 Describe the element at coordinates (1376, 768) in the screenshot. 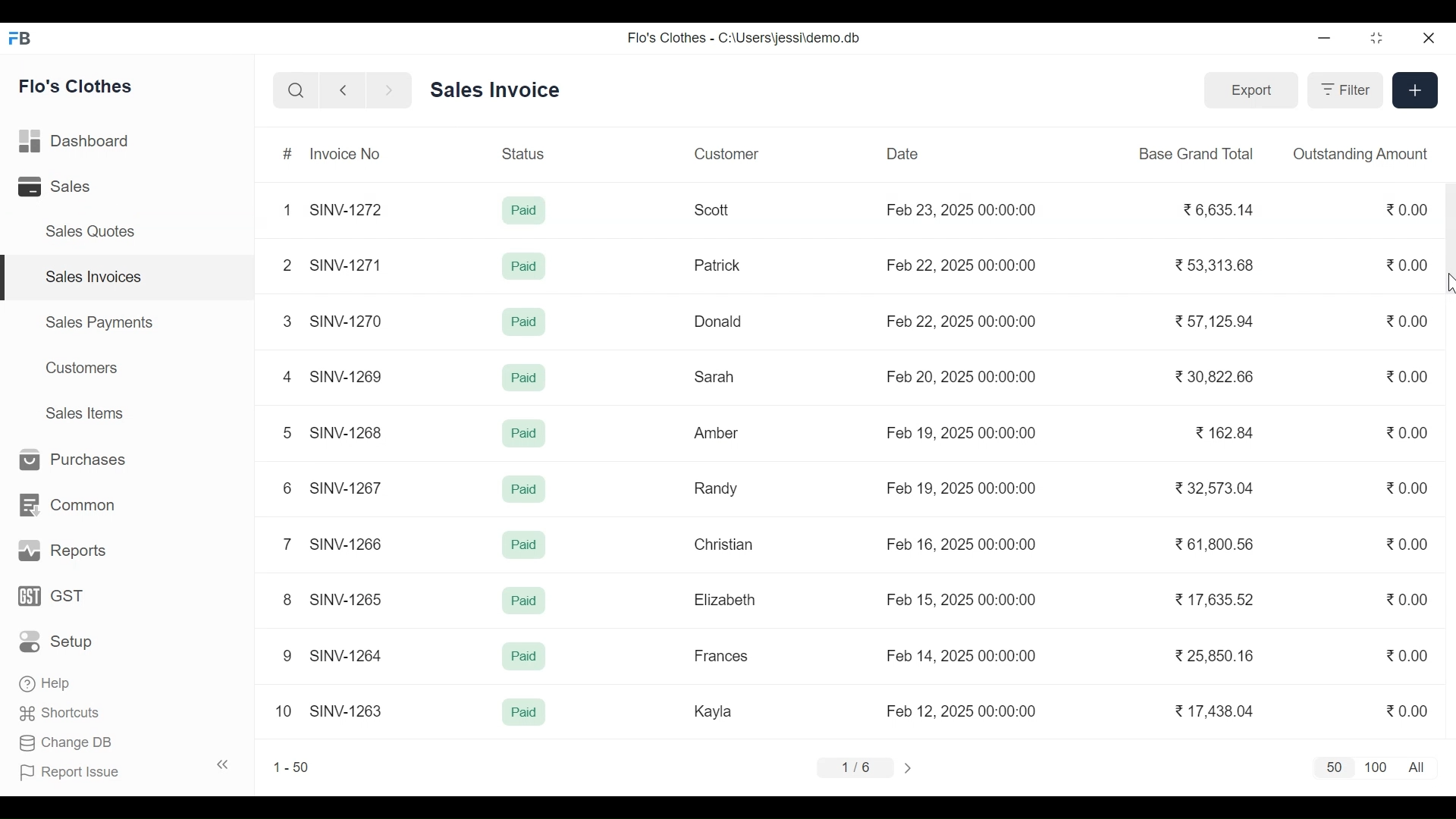

I see `1100` at that location.